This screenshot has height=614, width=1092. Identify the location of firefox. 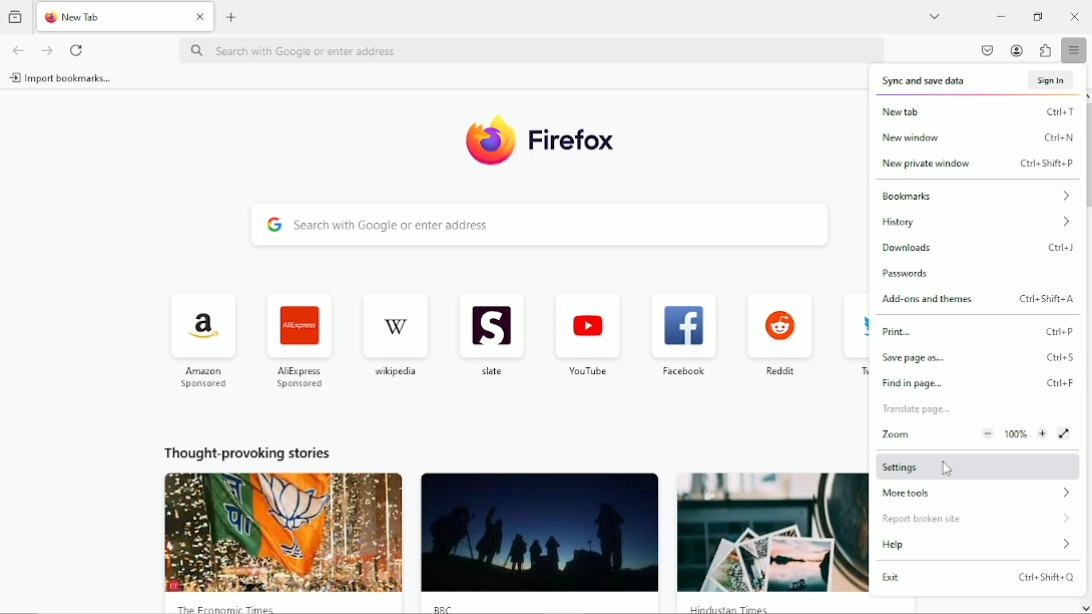
(578, 139).